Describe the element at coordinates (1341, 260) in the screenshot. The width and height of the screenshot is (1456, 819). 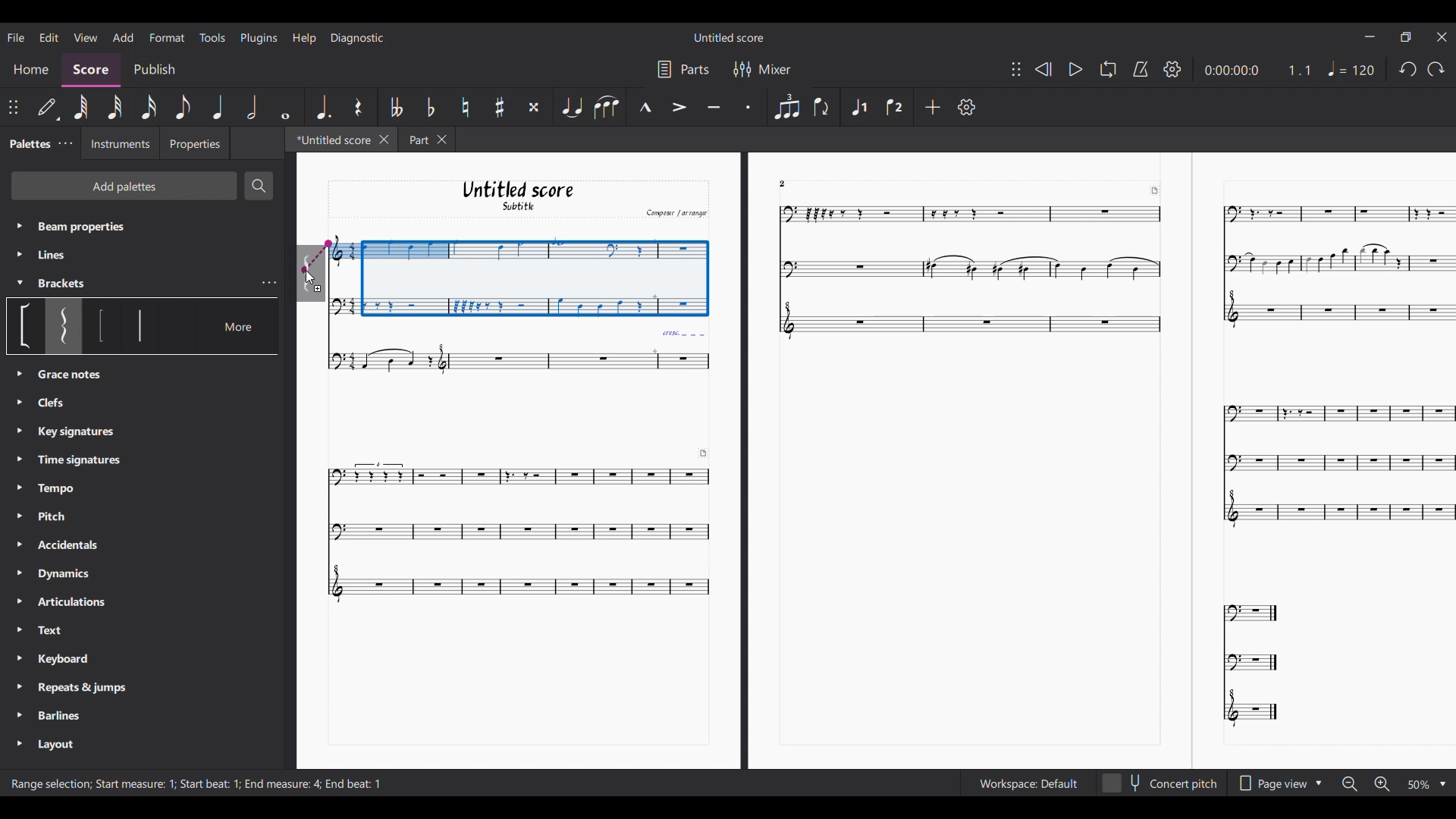
I see `` at that location.